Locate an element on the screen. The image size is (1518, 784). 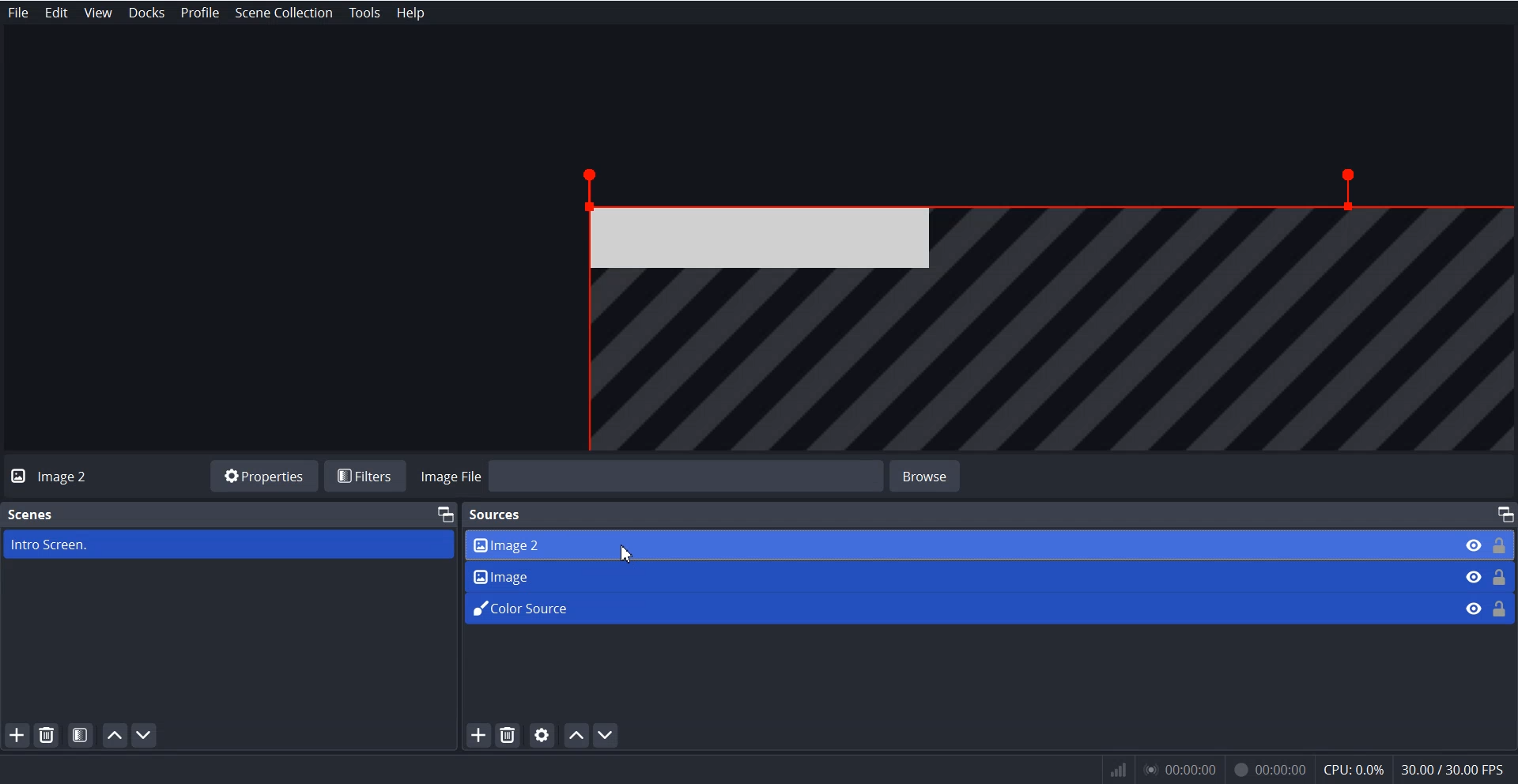
network is located at coordinates (1116, 770).